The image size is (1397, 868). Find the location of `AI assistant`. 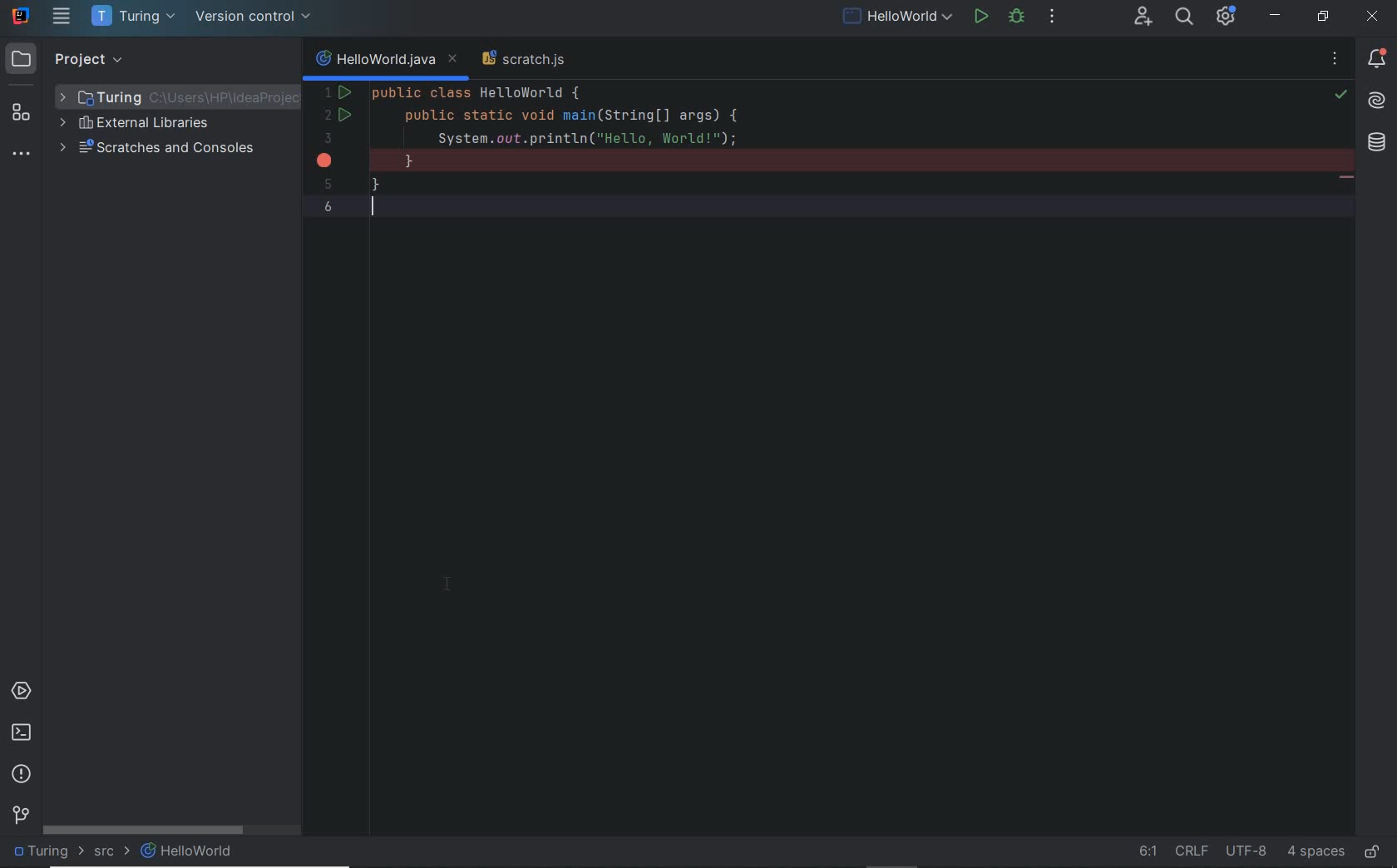

AI assistant is located at coordinates (1380, 101).